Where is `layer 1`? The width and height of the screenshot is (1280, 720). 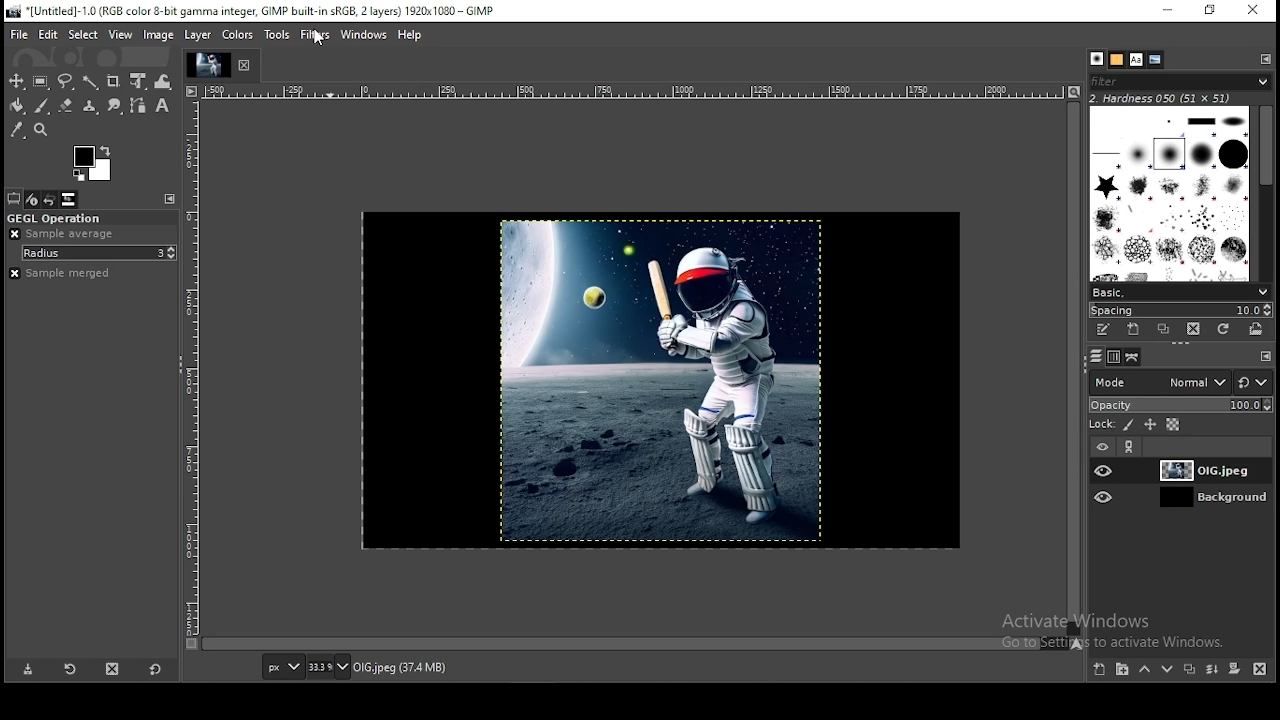 layer 1 is located at coordinates (1196, 471).